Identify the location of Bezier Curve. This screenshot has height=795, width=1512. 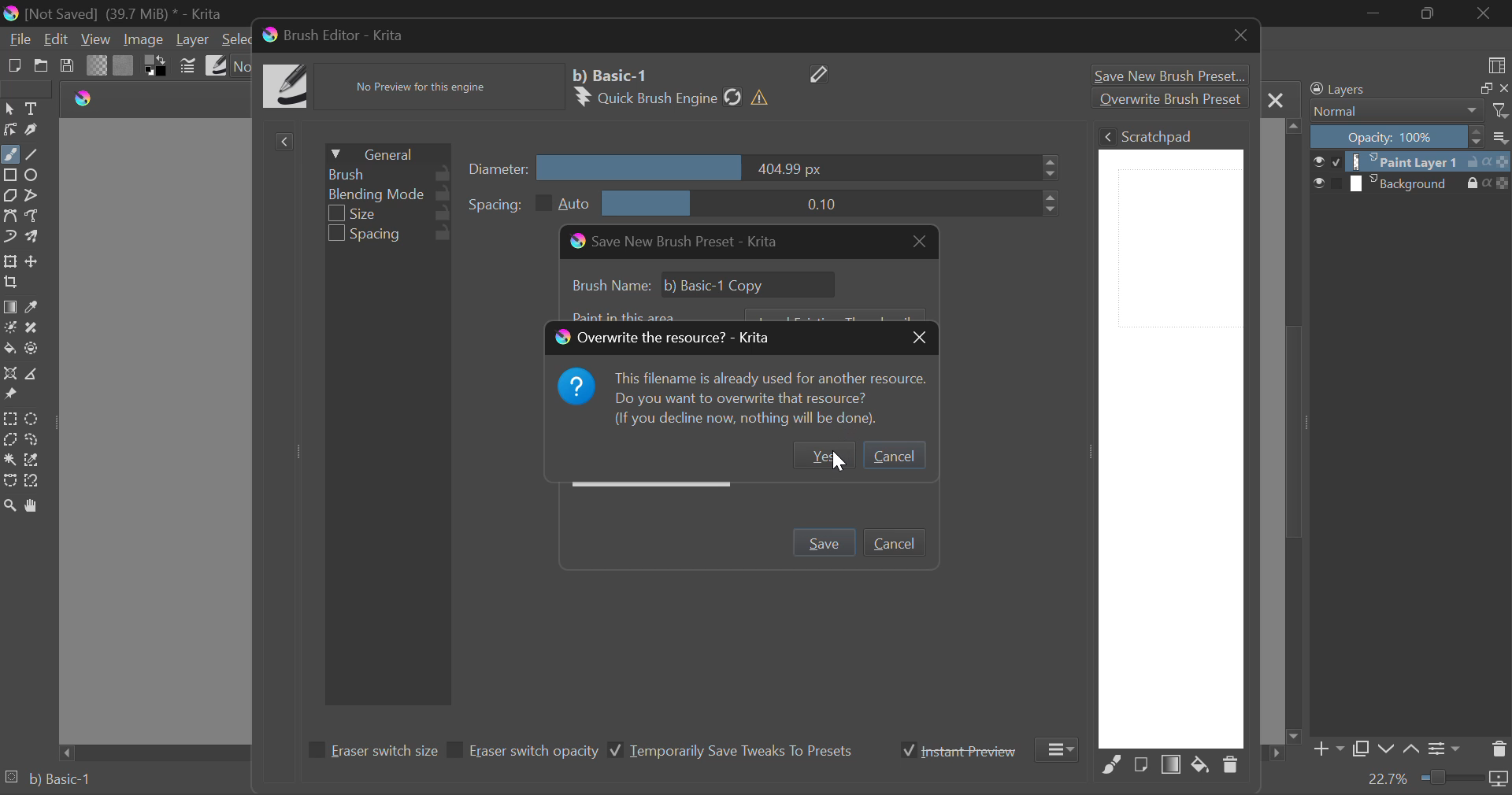
(9, 482).